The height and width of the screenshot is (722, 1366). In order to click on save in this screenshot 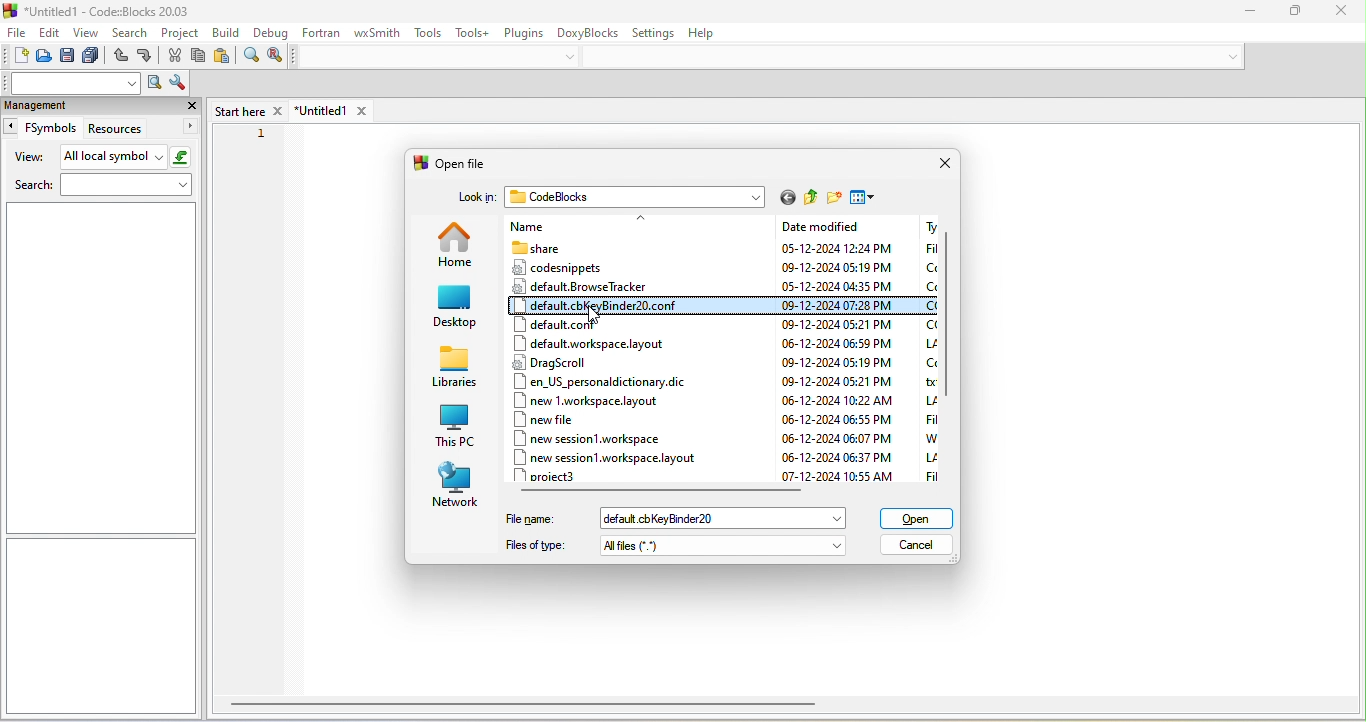, I will do `click(68, 56)`.